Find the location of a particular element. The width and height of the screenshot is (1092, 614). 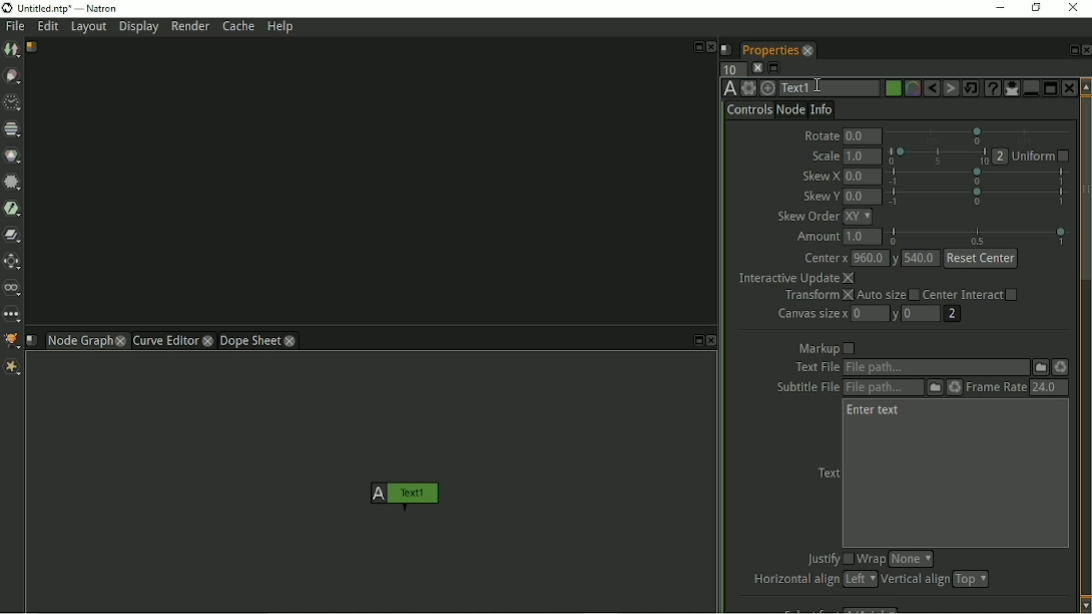

Canvas size is located at coordinates (811, 314).